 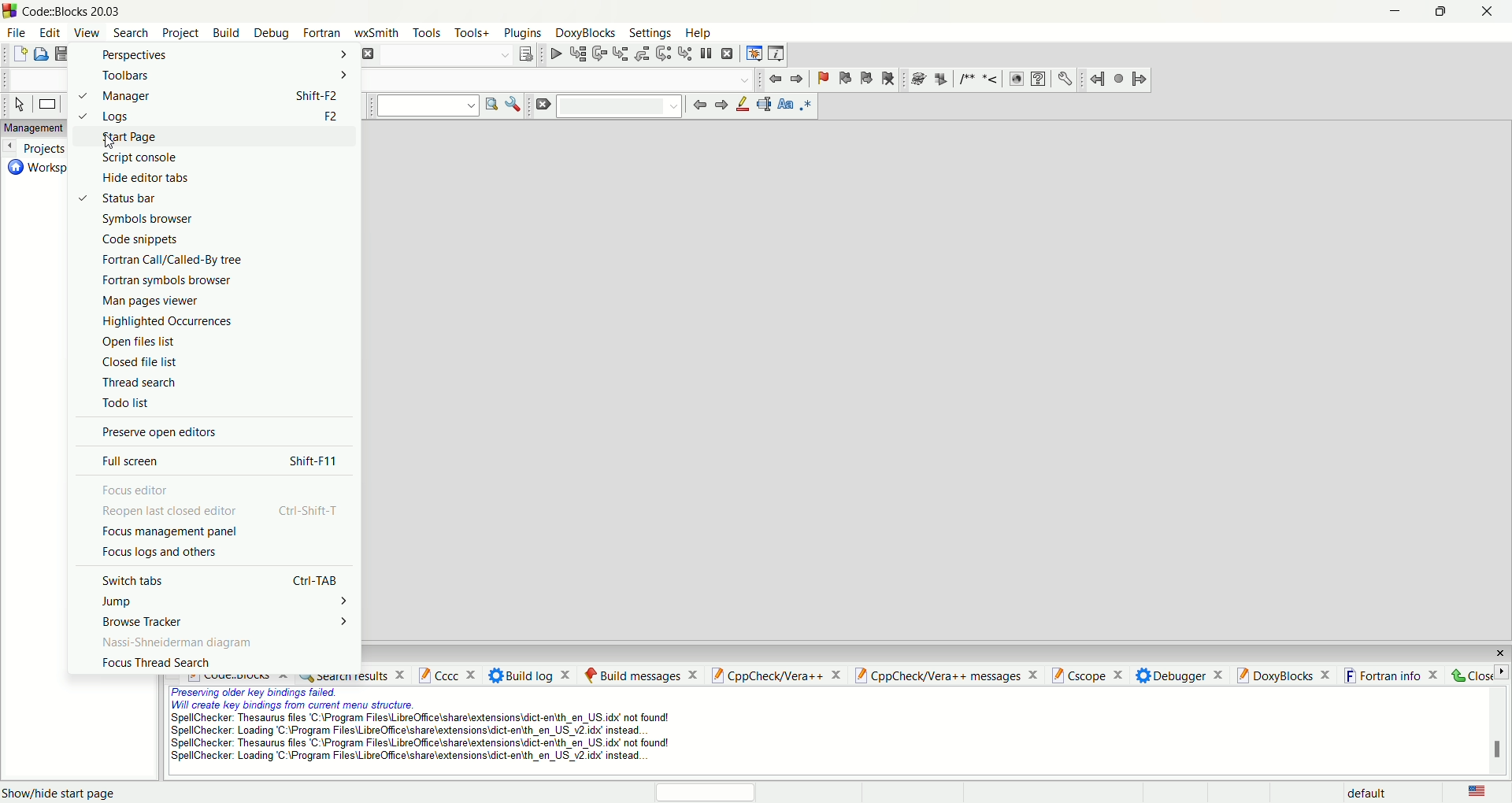 What do you see at coordinates (128, 32) in the screenshot?
I see `search` at bounding box center [128, 32].